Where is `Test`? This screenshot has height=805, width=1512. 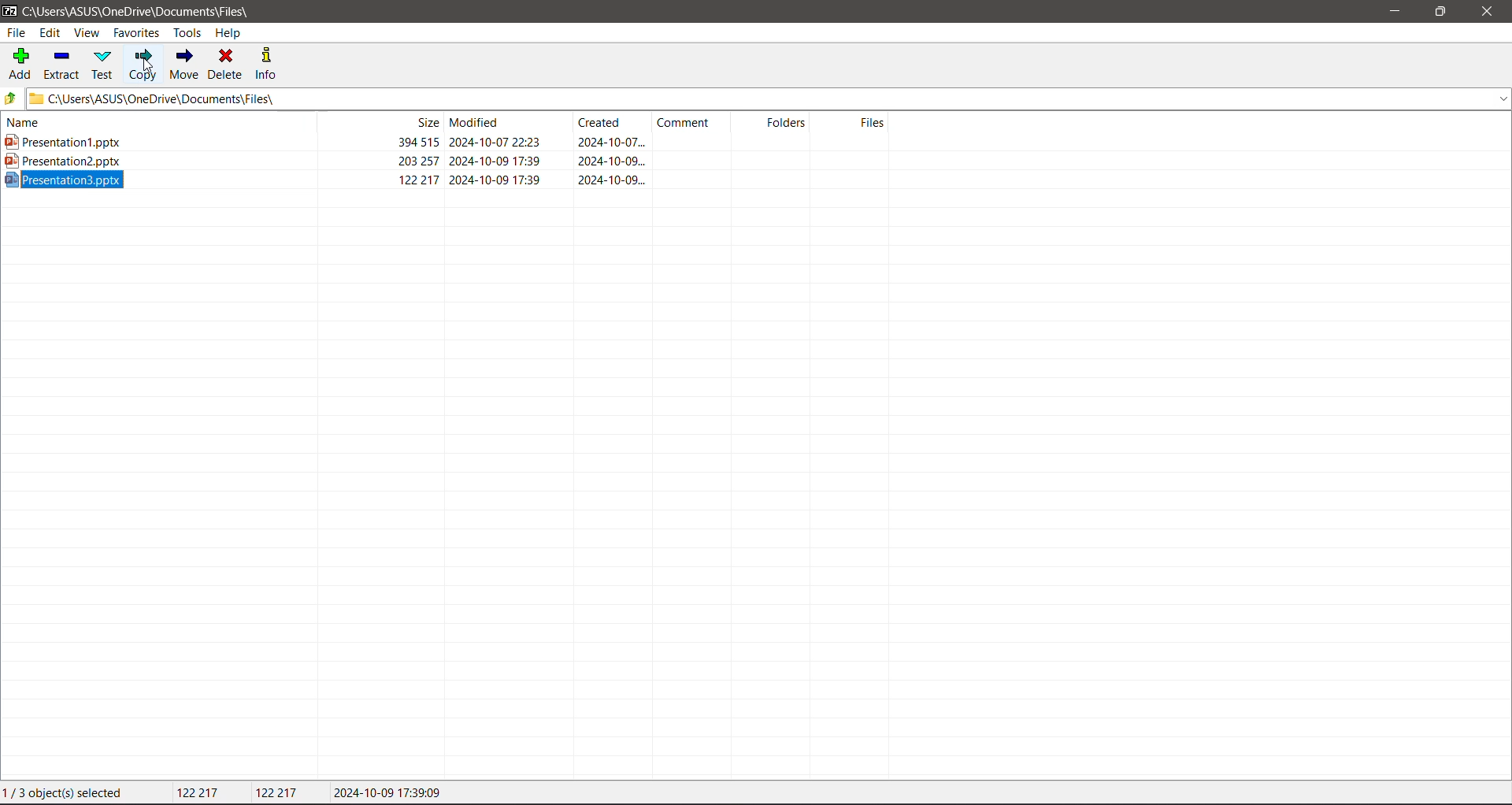
Test is located at coordinates (104, 65).